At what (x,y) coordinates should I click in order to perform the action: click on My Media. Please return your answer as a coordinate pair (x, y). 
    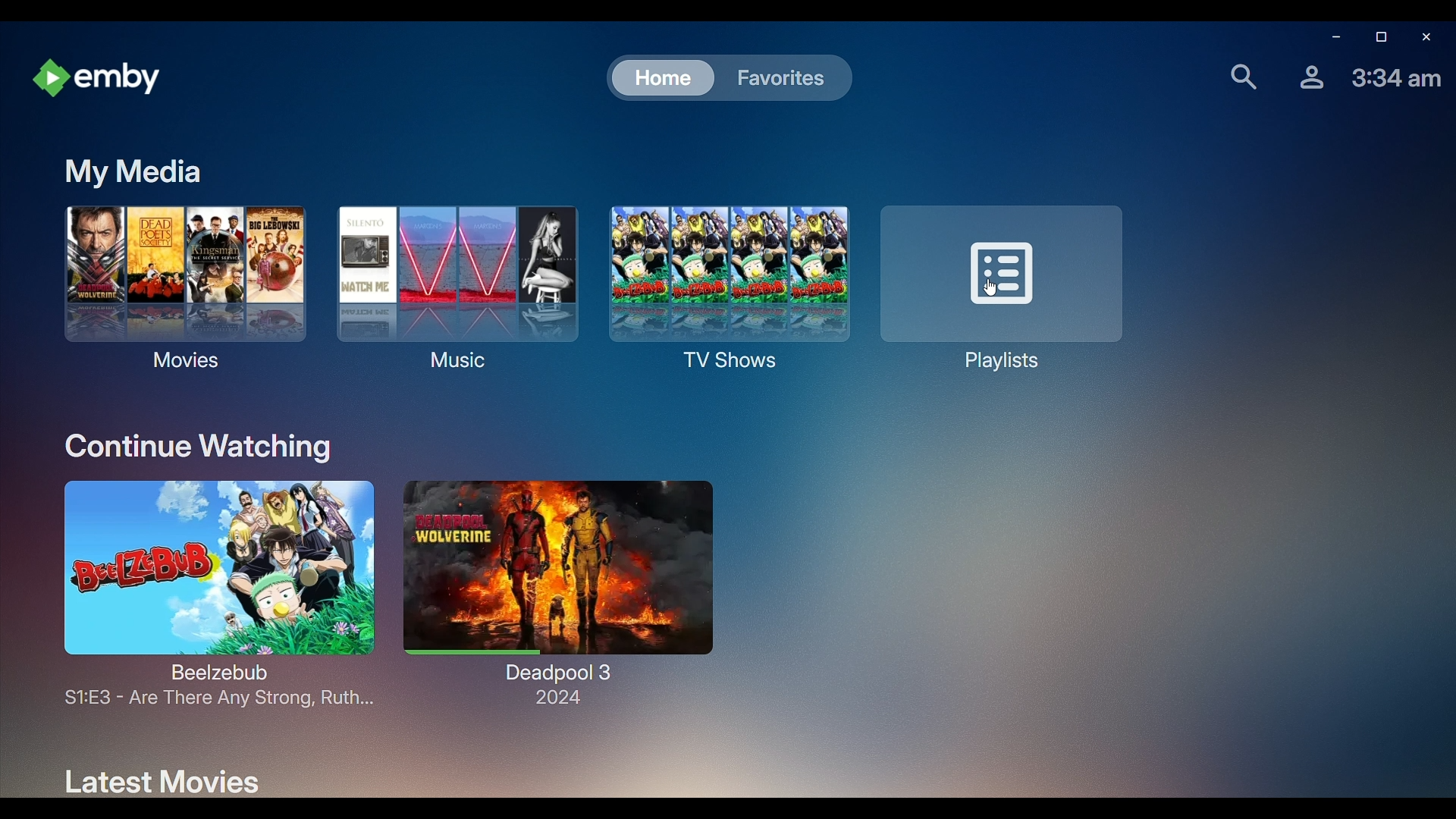
    Looking at the image, I should click on (134, 171).